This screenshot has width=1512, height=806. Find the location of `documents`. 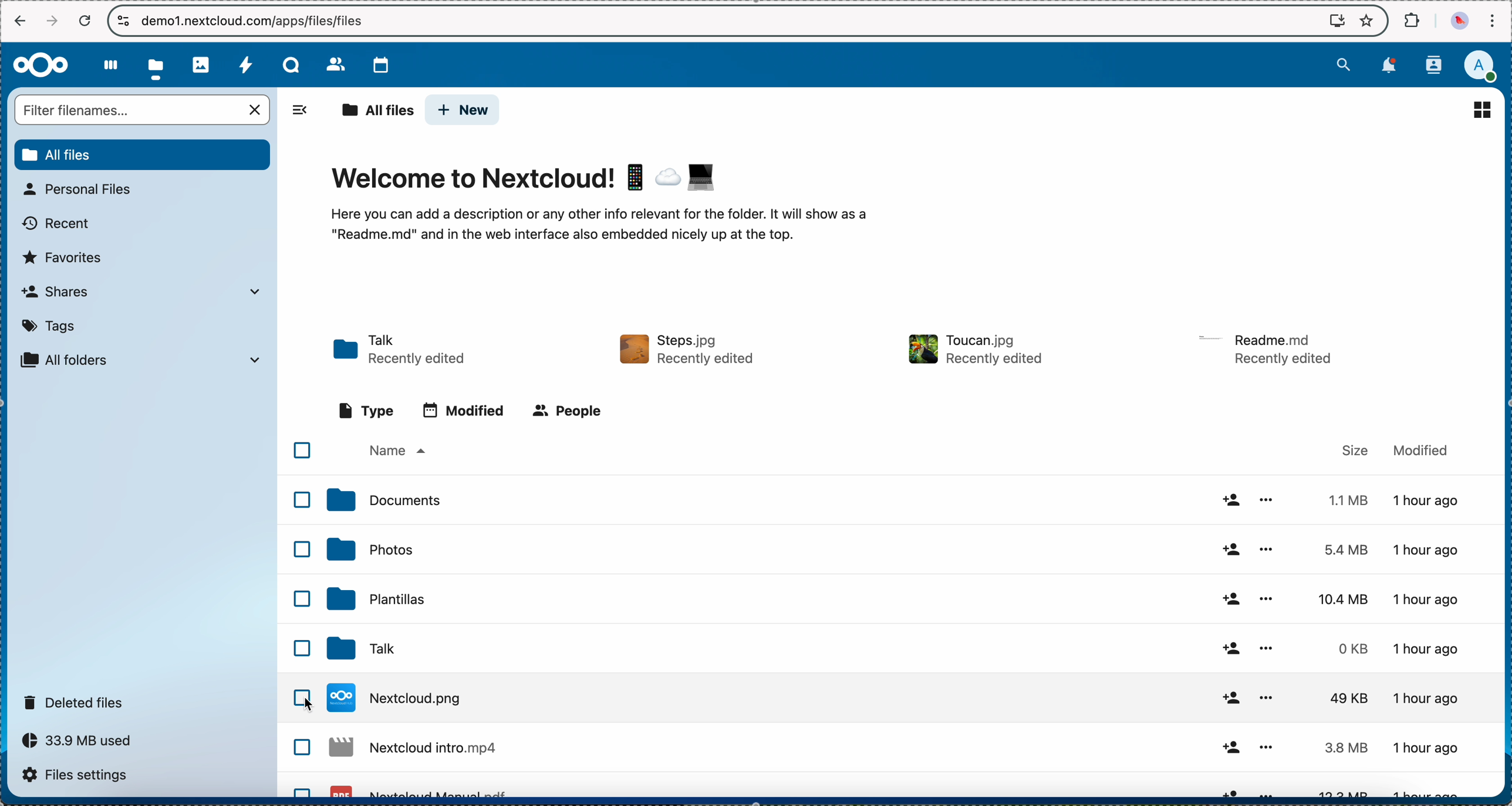

documents is located at coordinates (896, 499).